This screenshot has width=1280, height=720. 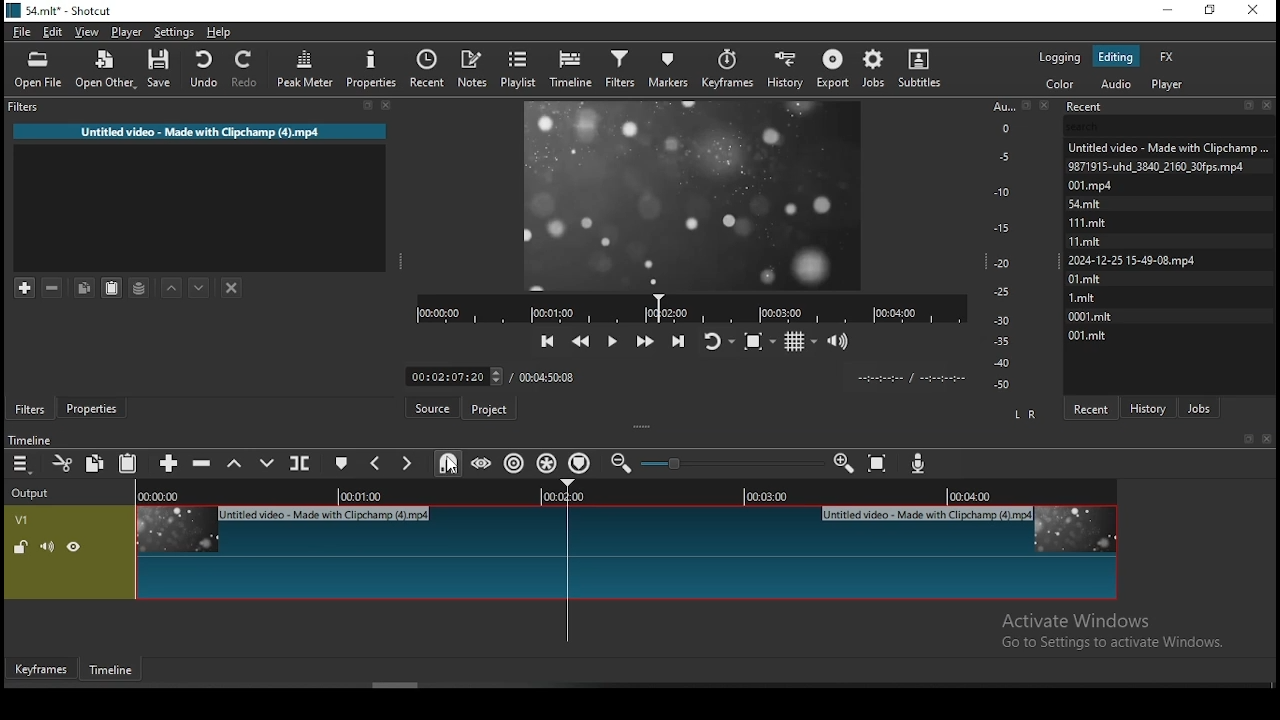 What do you see at coordinates (110, 674) in the screenshot?
I see `timeline` at bounding box center [110, 674].